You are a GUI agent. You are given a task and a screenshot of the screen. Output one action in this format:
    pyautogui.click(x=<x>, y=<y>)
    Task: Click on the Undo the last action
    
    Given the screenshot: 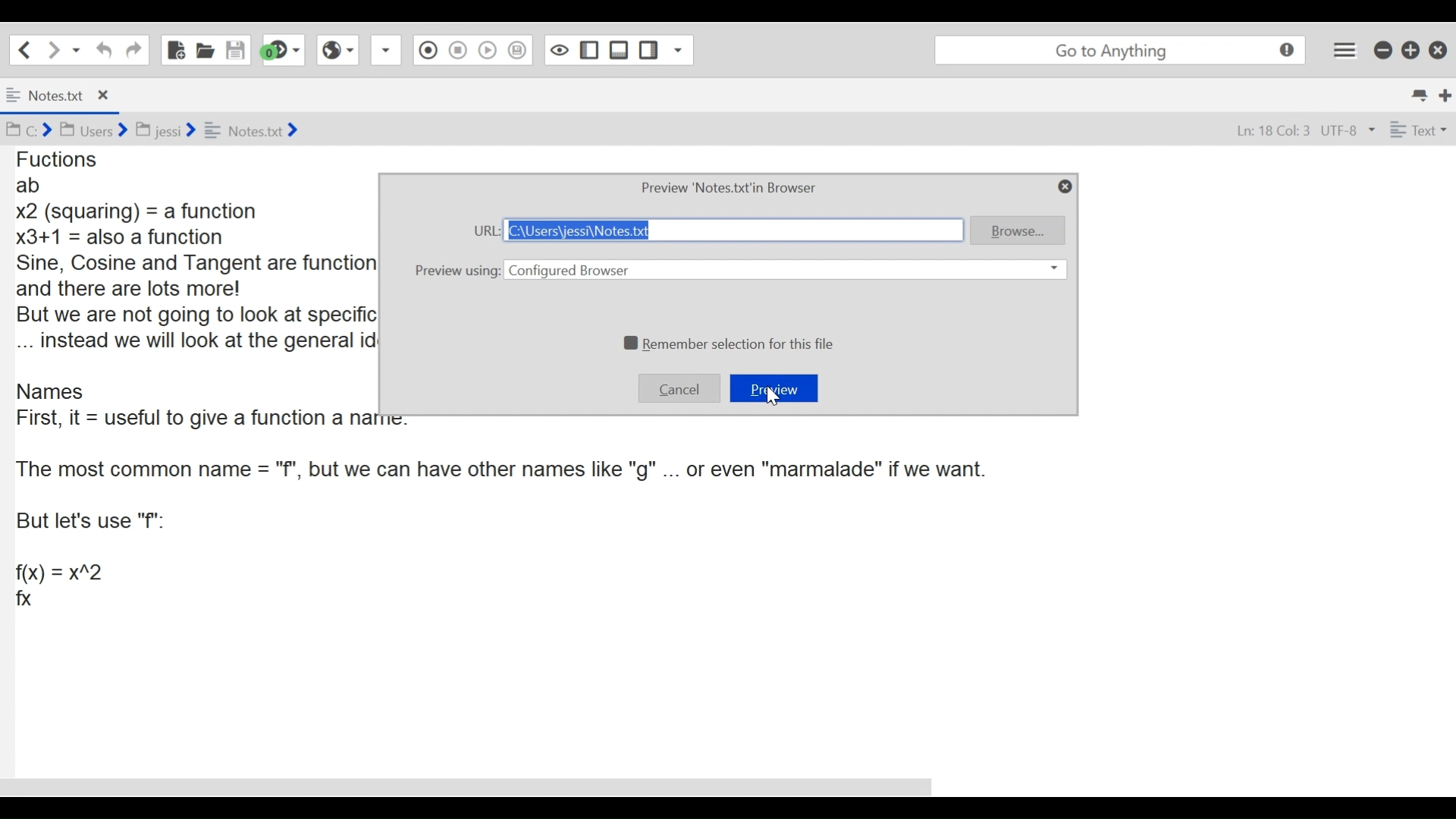 What is the action you would take?
    pyautogui.click(x=133, y=49)
    